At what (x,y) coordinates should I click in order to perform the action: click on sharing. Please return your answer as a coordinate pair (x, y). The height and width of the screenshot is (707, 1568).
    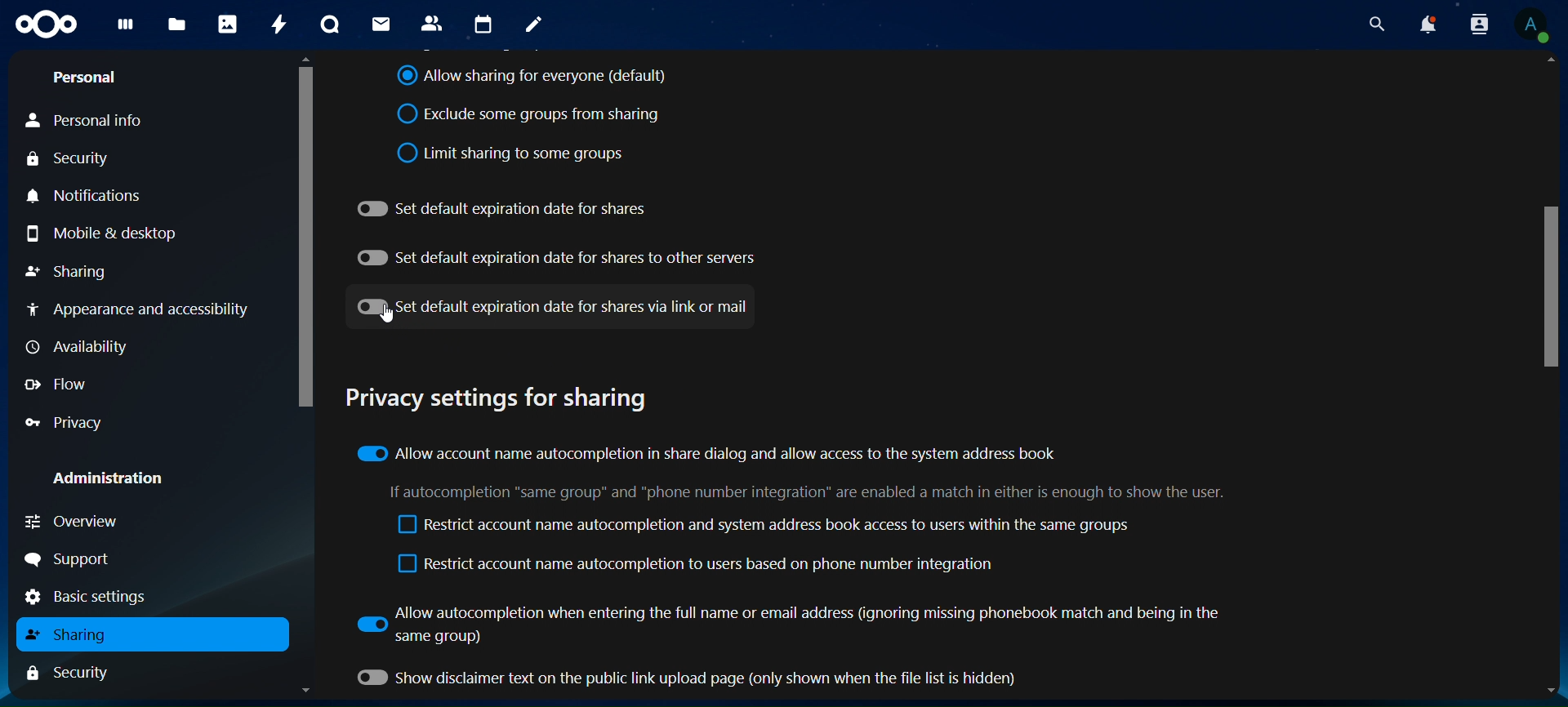
    Looking at the image, I should click on (74, 634).